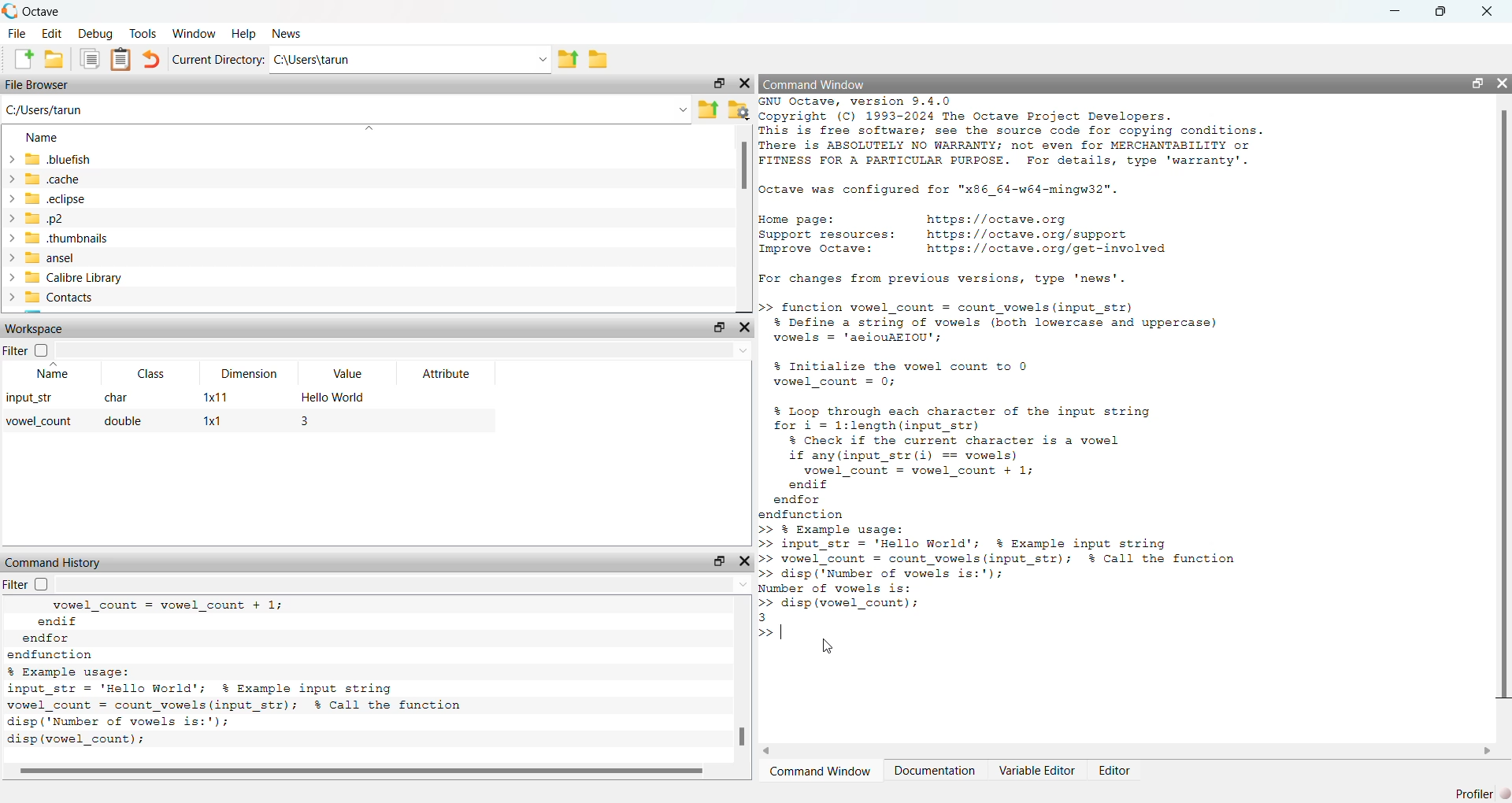 The height and width of the screenshot is (803, 1512). What do you see at coordinates (75, 277) in the screenshot?
I see `Calibre Library` at bounding box center [75, 277].